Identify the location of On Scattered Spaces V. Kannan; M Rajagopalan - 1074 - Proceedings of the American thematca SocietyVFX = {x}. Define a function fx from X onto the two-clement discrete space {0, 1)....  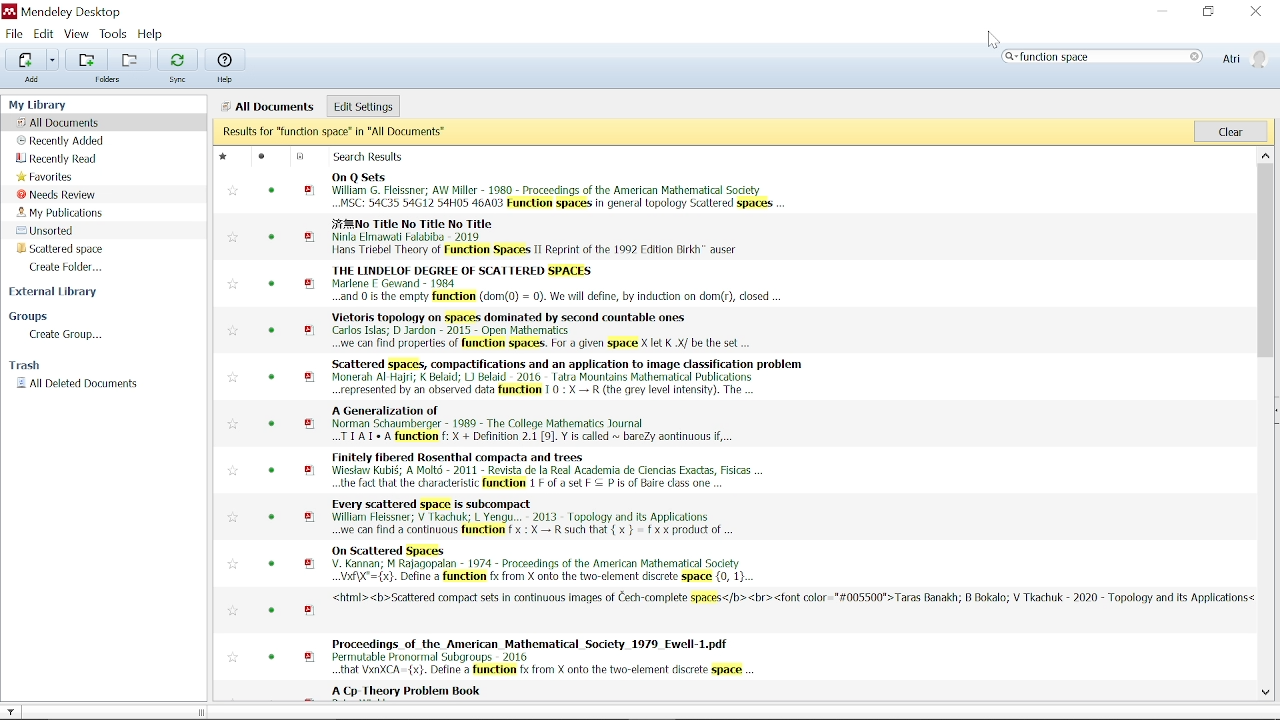
(756, 564).